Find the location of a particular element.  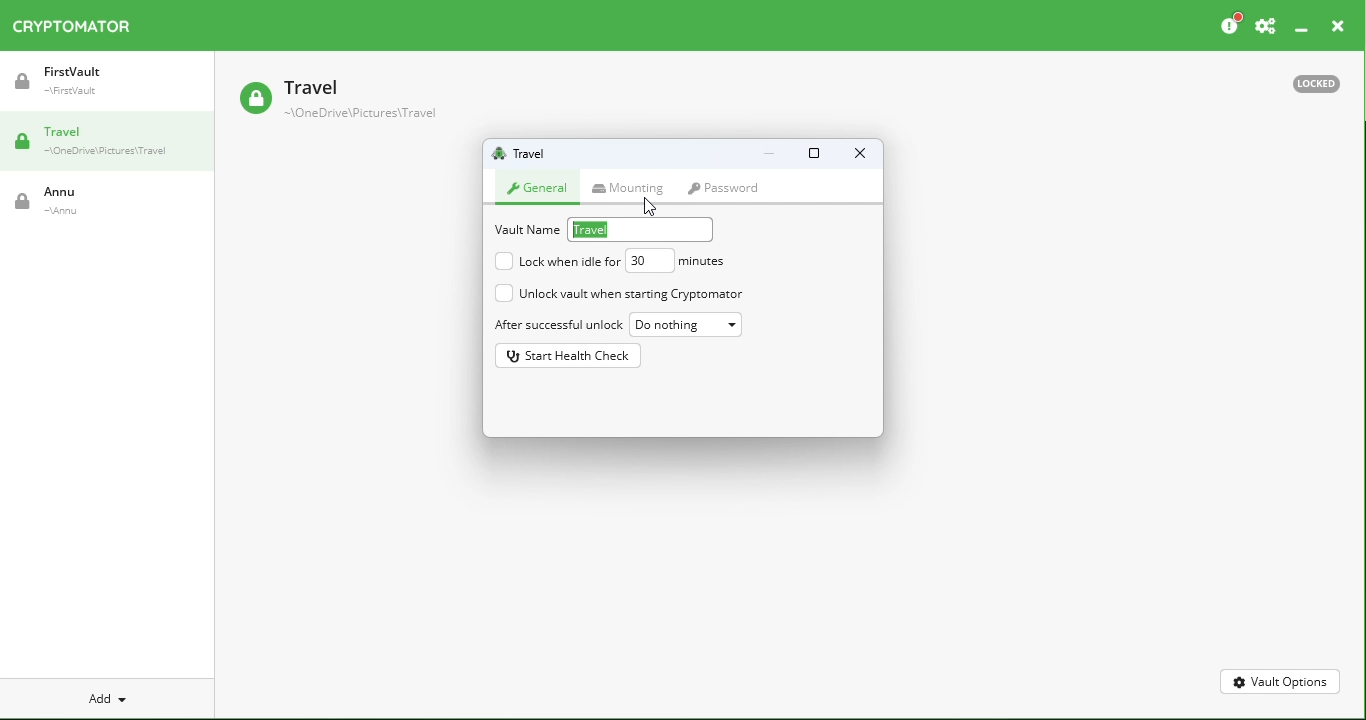

duration is located at coordinates (677, 260).